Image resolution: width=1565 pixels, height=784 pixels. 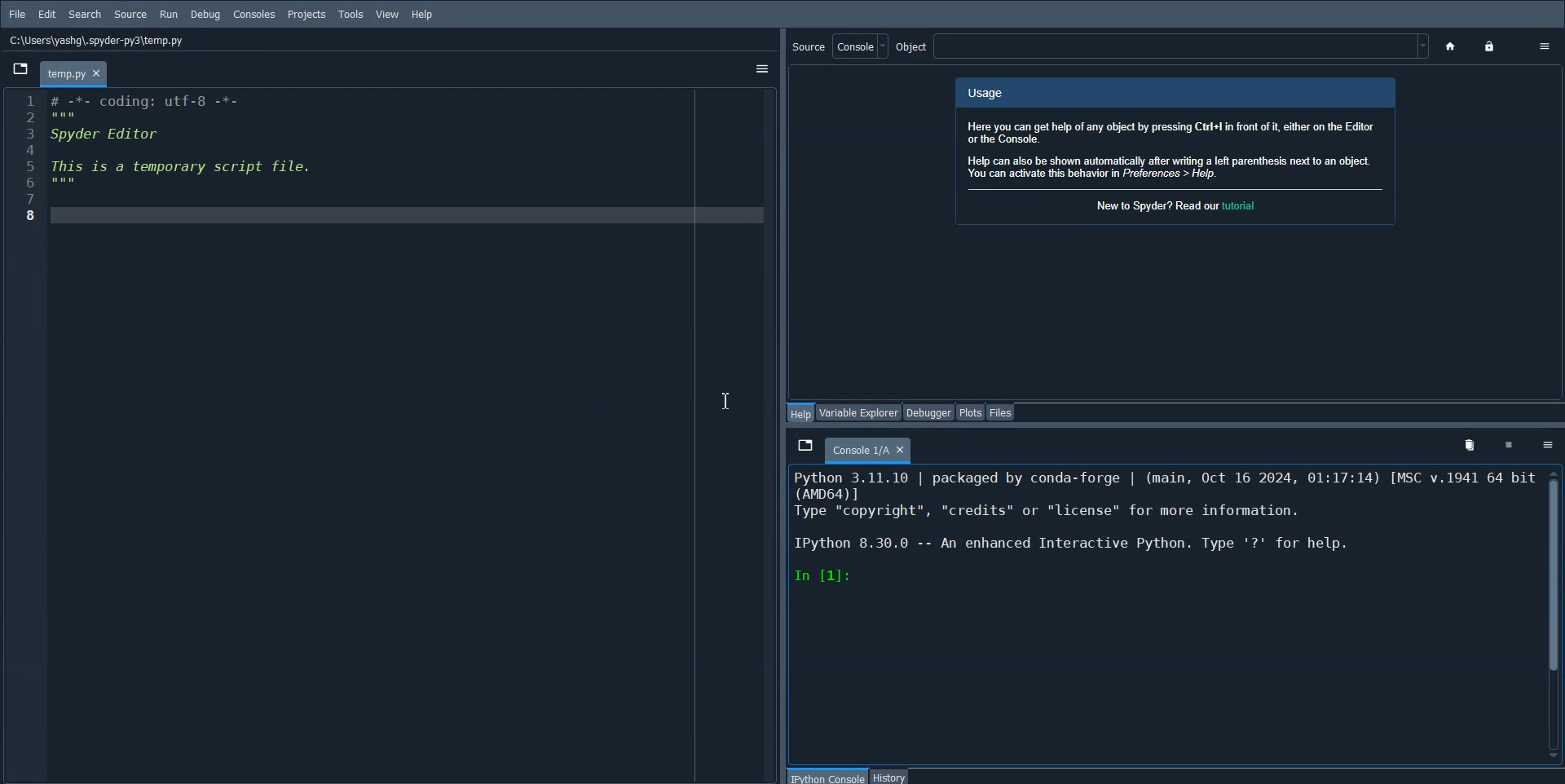 What do you see at coordinates (727, 399) in the screenshot?
I see `Text Cursor` at bounding box center [727, 399].